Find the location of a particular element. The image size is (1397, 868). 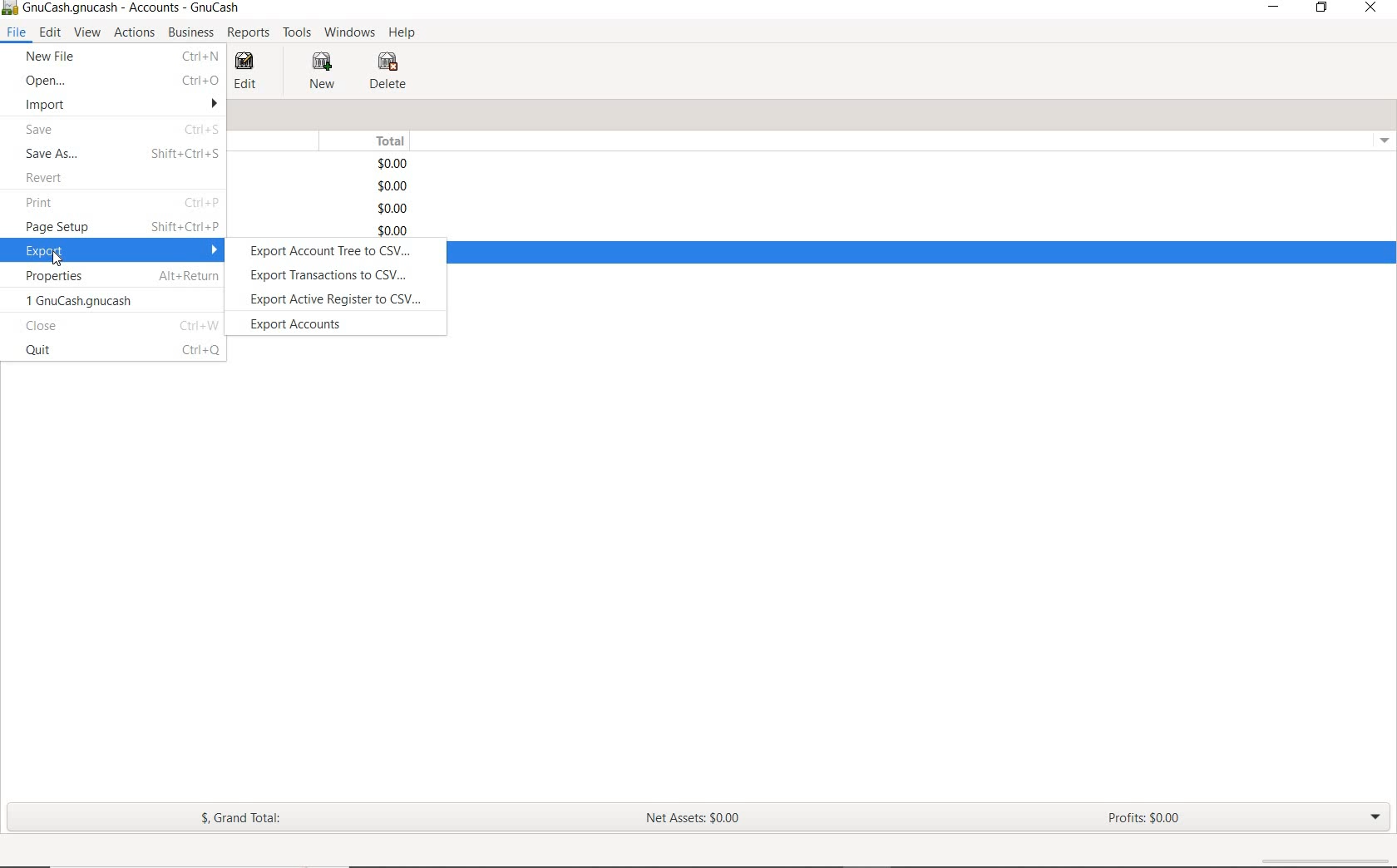

HELP is located at coordinates (402, 33).